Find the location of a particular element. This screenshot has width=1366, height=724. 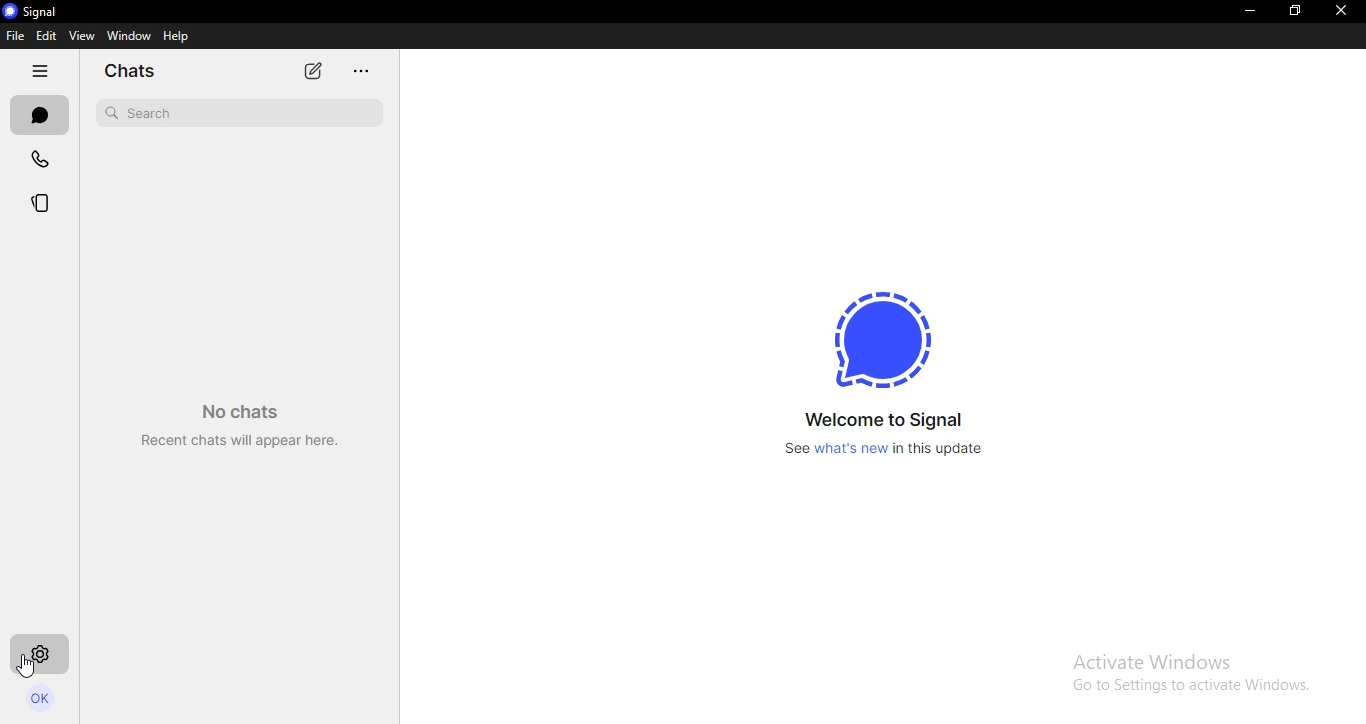

profile is located at coordinates (42, 701).